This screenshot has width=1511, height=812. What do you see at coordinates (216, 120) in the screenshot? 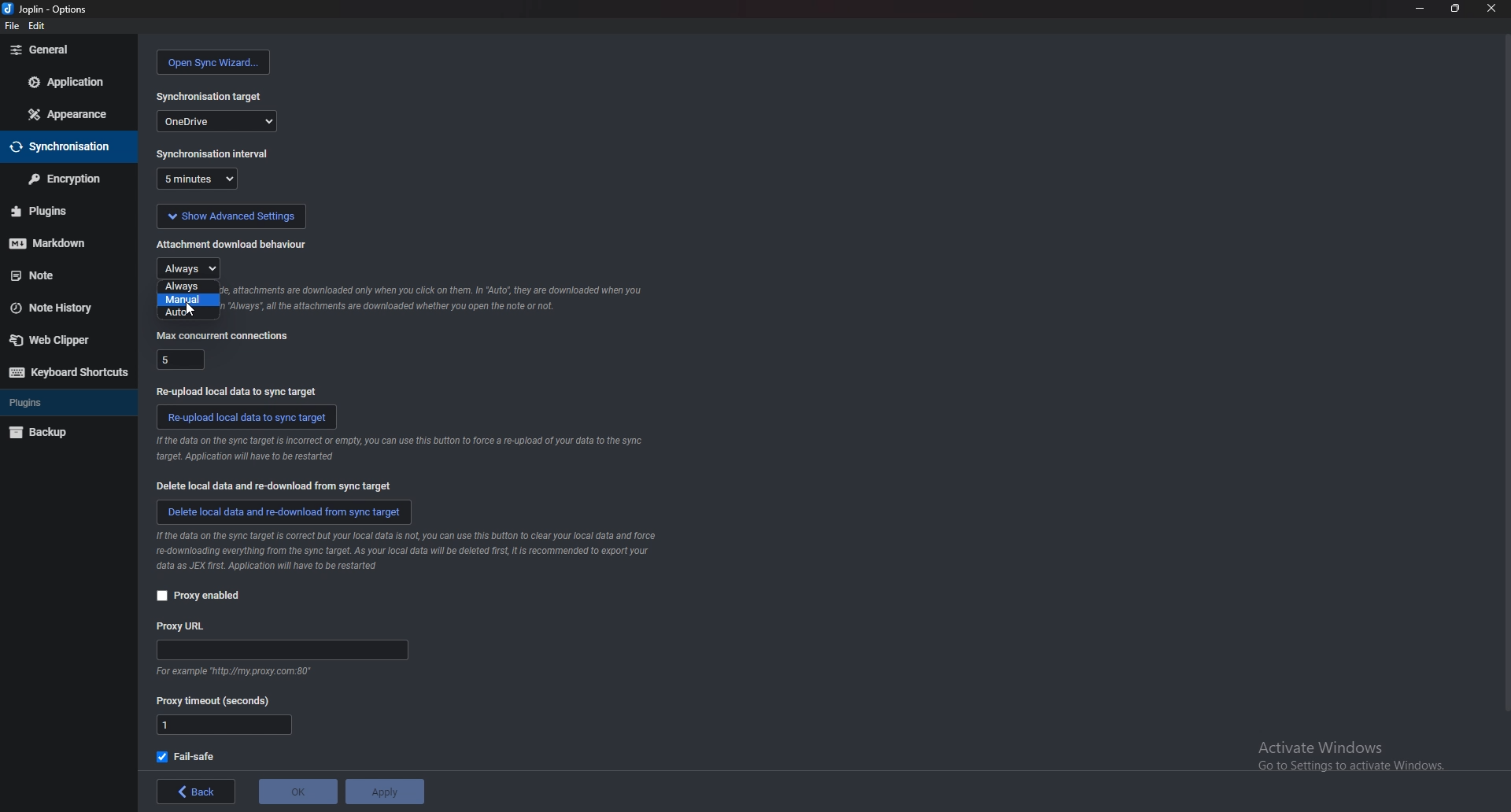
I see `one drive` at bounding box center [216, 120].